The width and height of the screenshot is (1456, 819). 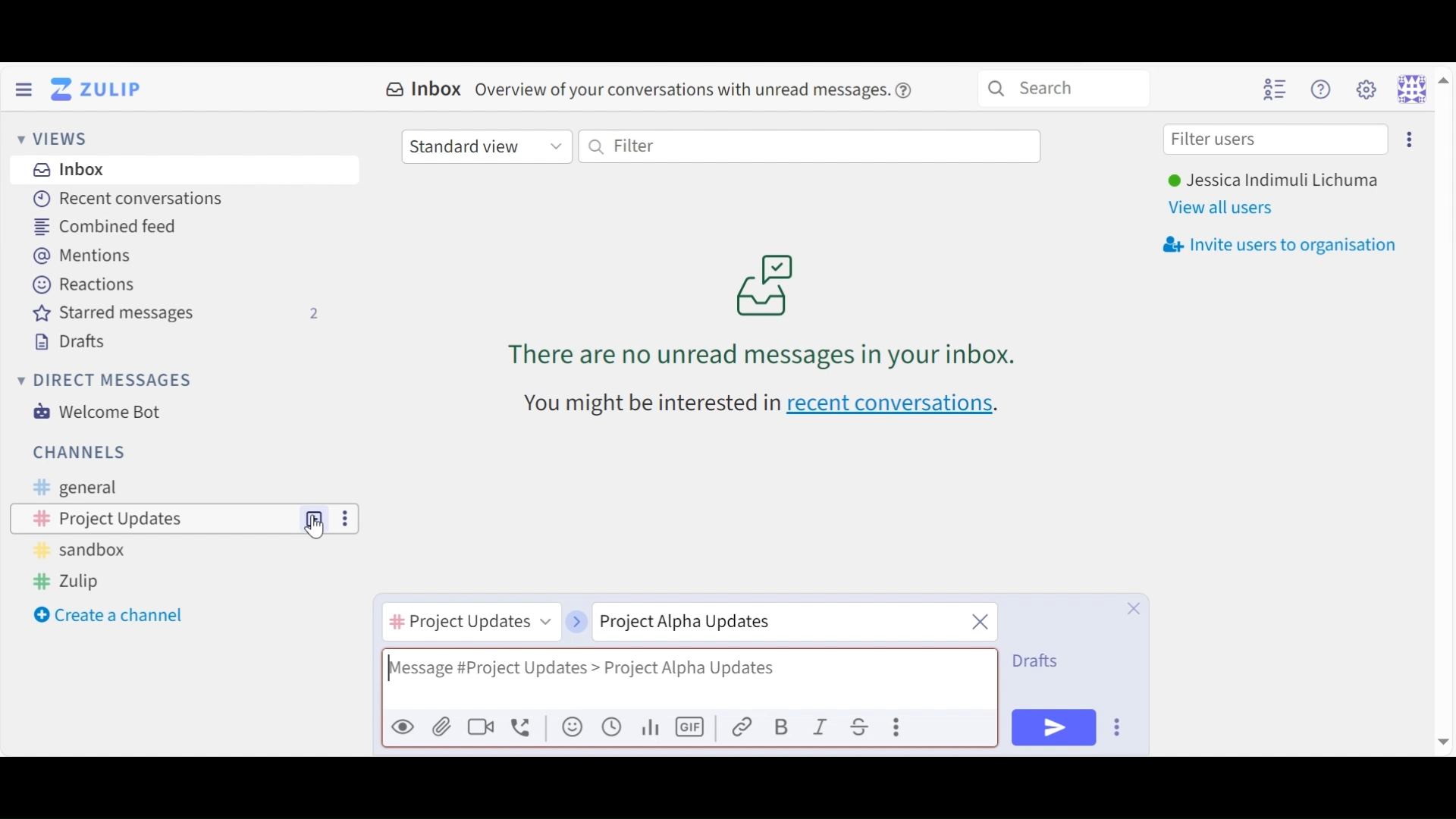 I want to click on next, so click(x=576, y=616).